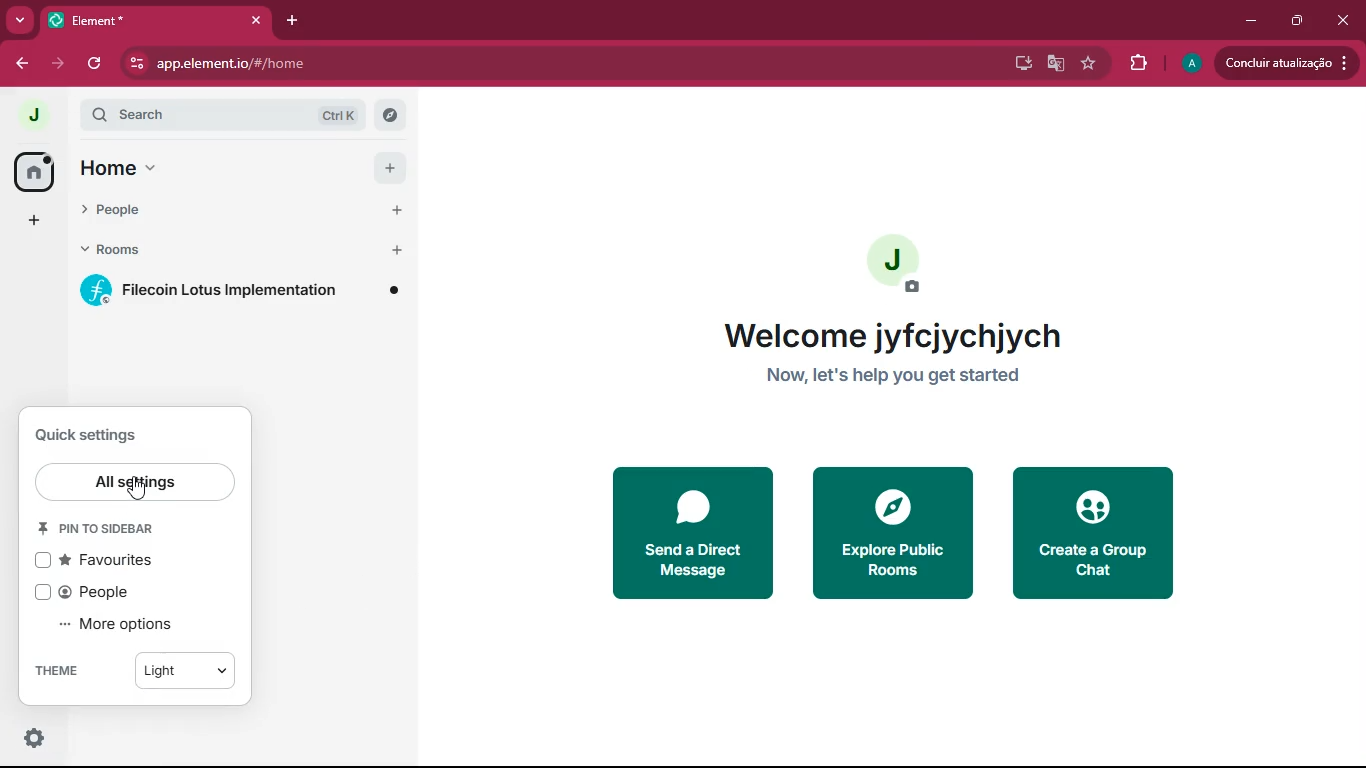 This screenshot has width=1366, height=768. Describe the element at coordinates (1189, 61) in the screenshot. I see `A` at that location.